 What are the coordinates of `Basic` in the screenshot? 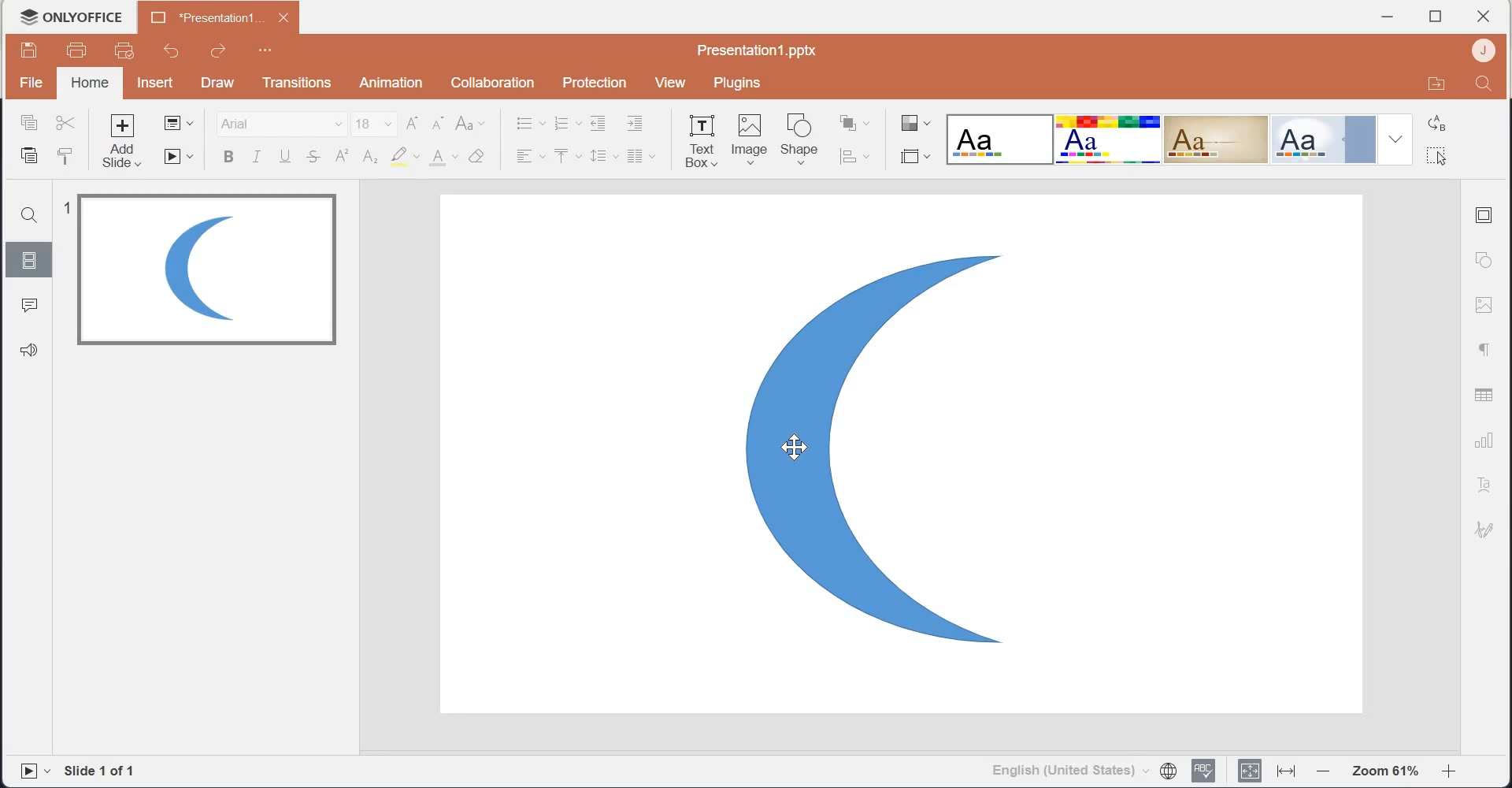 It's located at (1109, 139).